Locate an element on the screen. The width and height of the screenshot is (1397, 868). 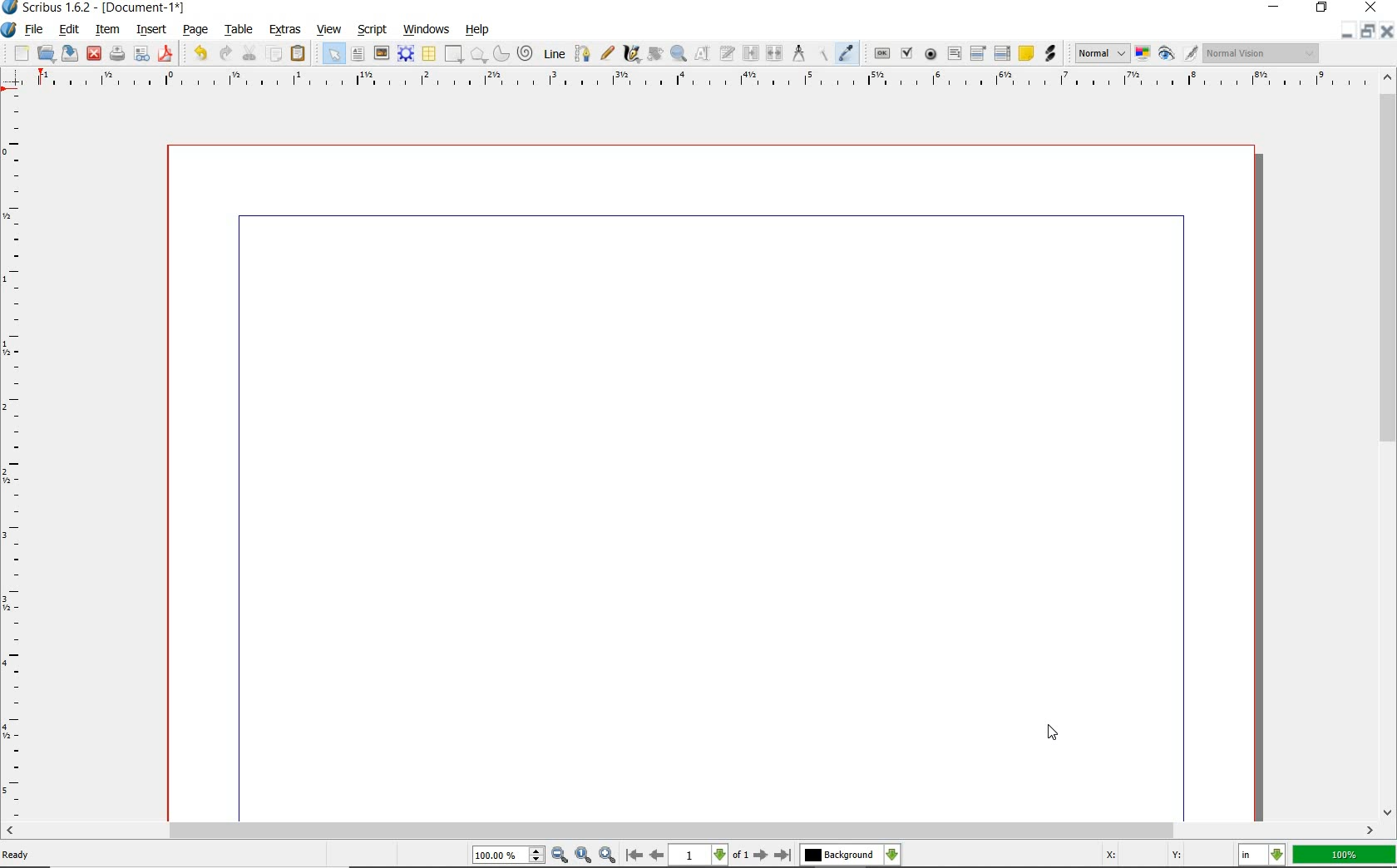
restore is located at coordinates (1323, 7).